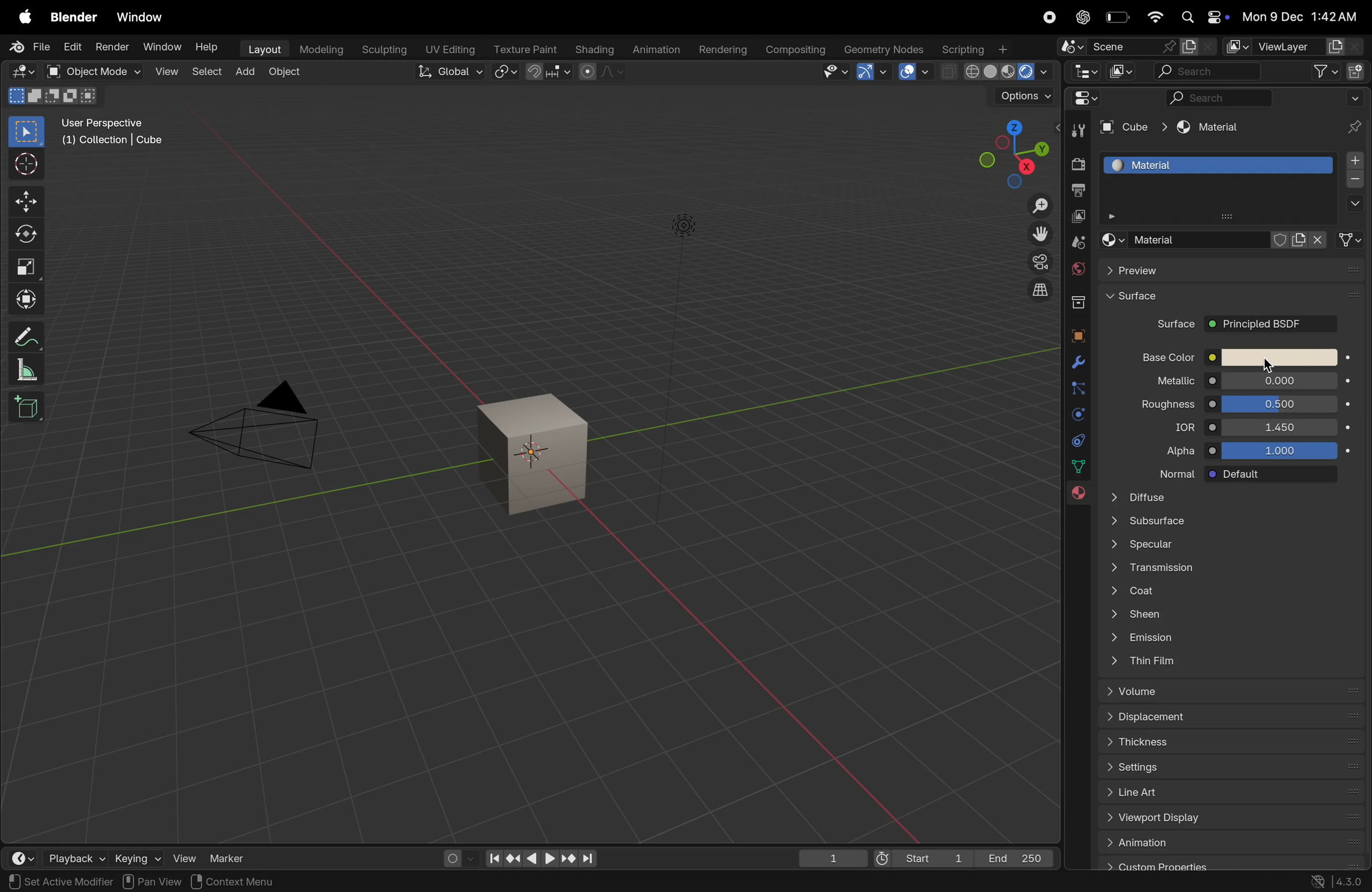 Image resolution: width=1372 pixels, height=892 pixels. Describe the element at coordinates (1223, 570) in the screenshot. I see `Transition` at that location.